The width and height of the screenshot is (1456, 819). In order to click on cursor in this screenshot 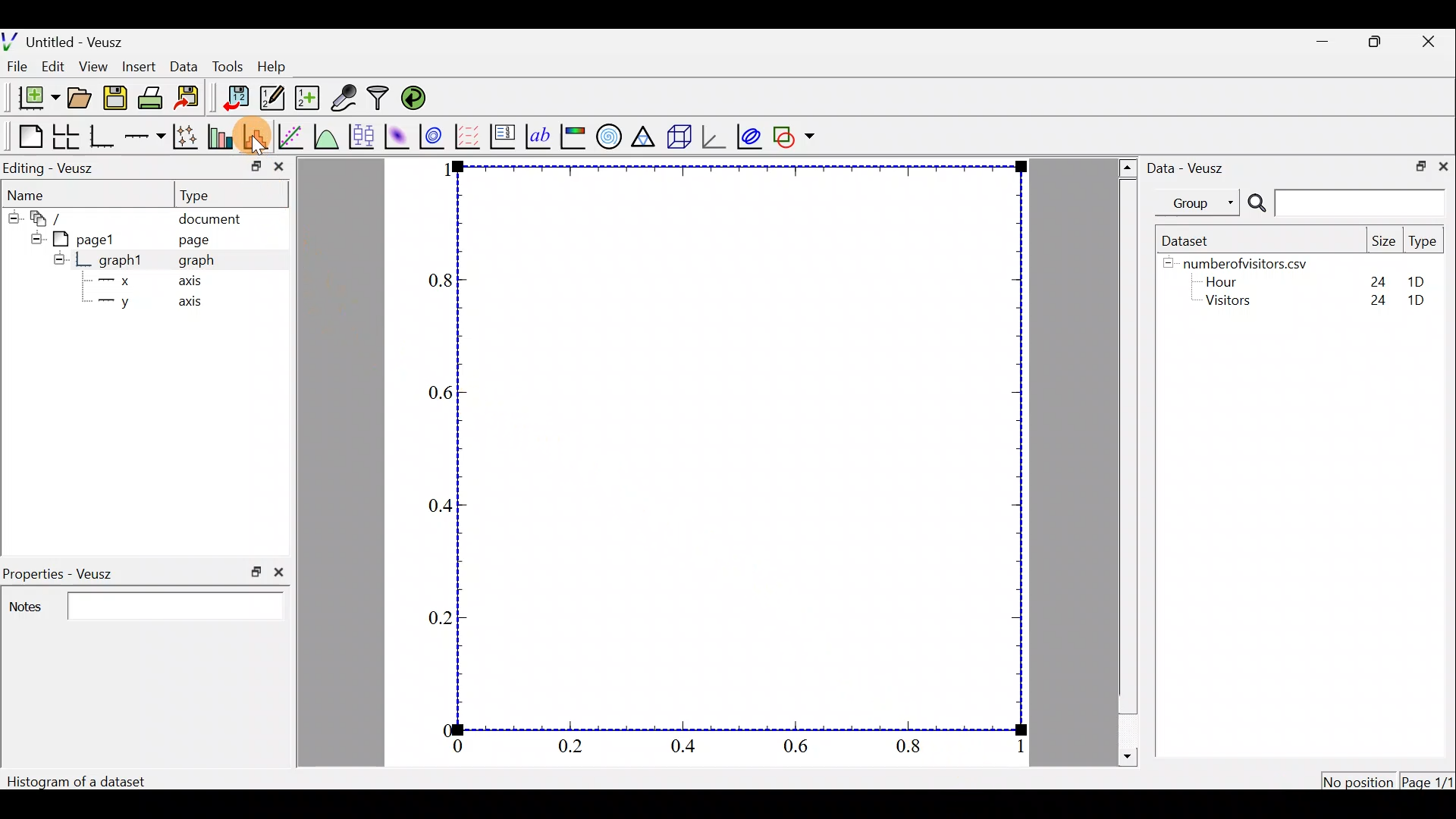, I will do `click(259, 140)`.